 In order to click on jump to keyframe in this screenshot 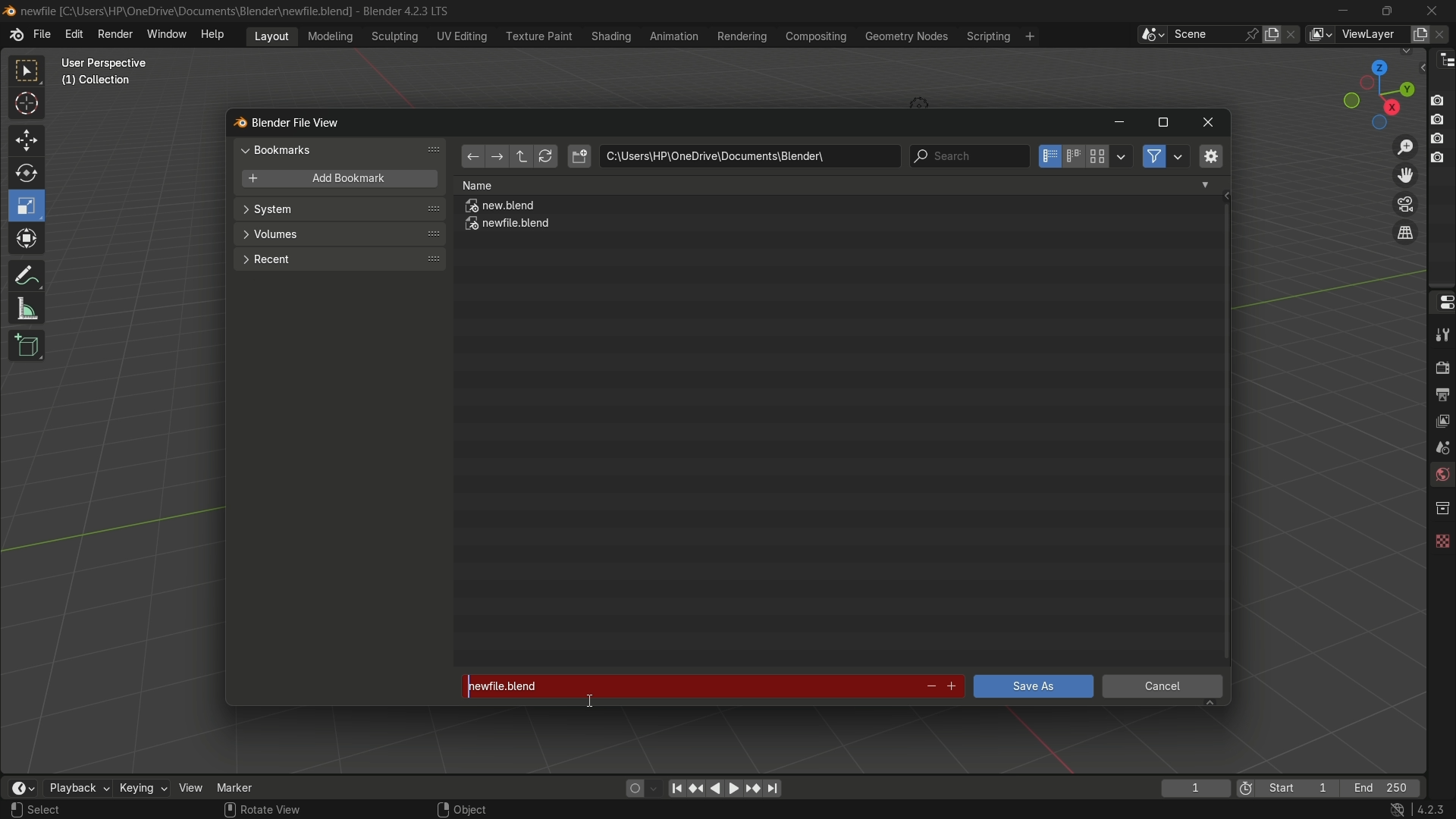, I will do `click(697, 786)`.